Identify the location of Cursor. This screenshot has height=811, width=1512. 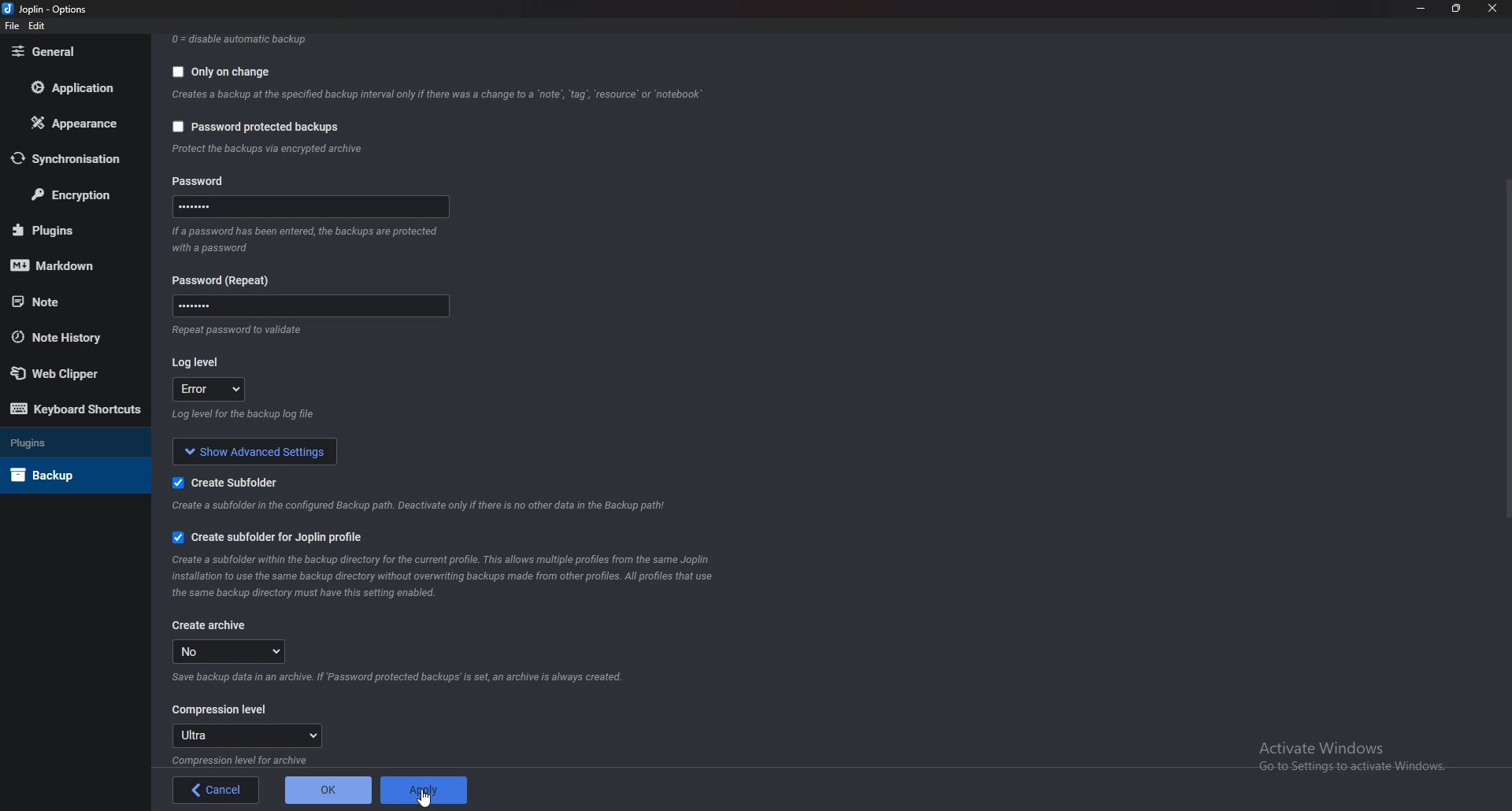
(425, 798).